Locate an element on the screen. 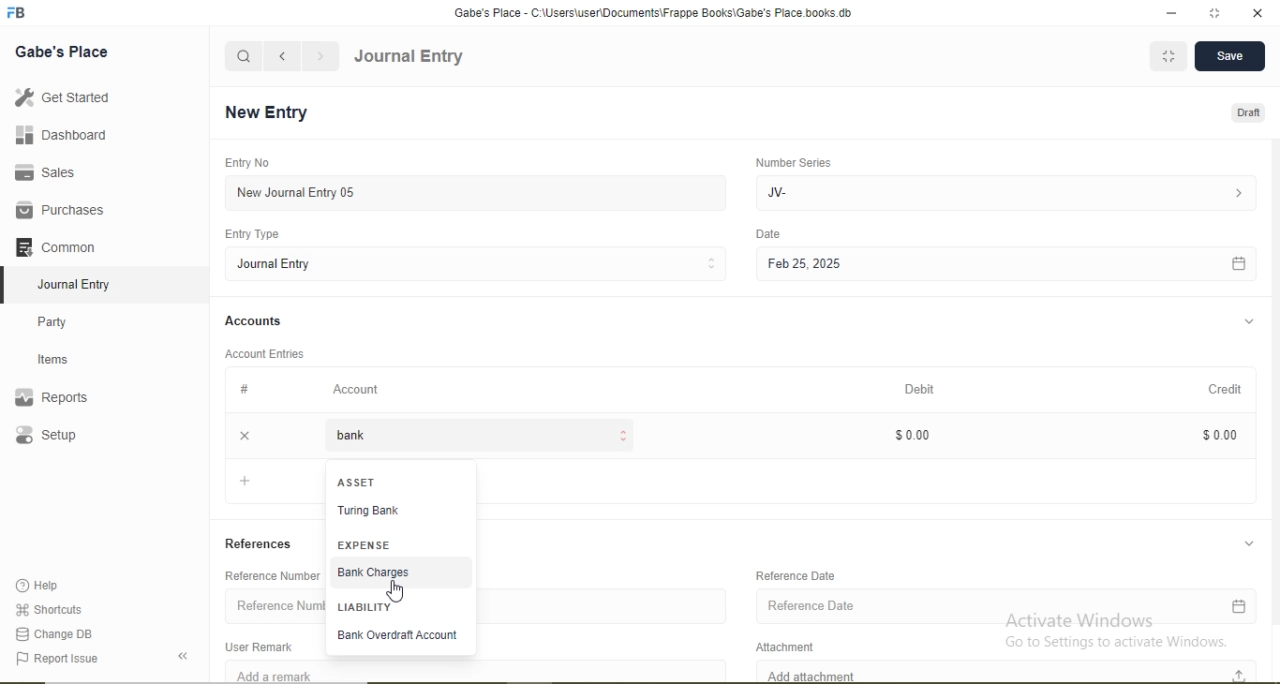 The width and height of the screenshot is (1280, 684). Save is located at coordinates (1230, 58).